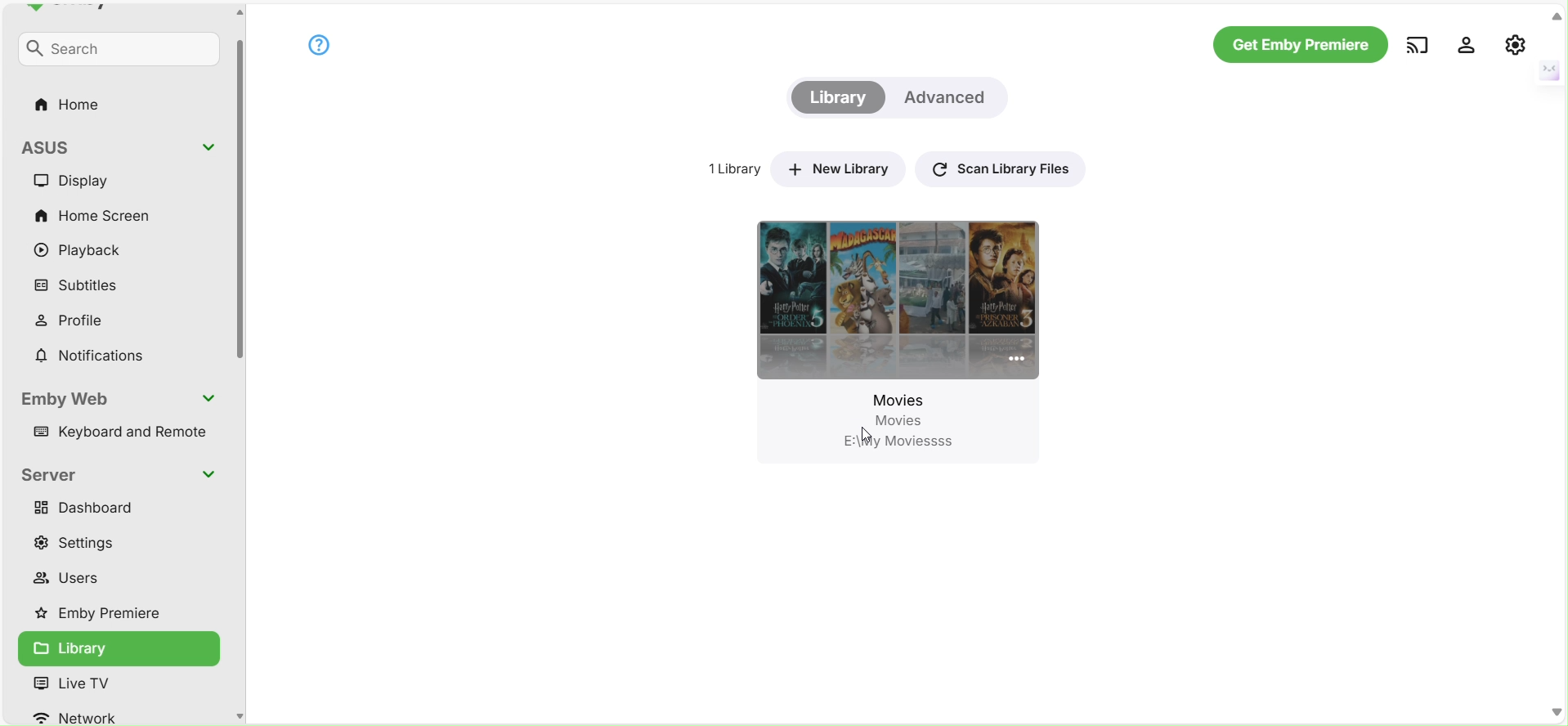  Describe the element at coordinates (912, 442) in the screenshot. I see `location E:\My Moviessss` at that location.